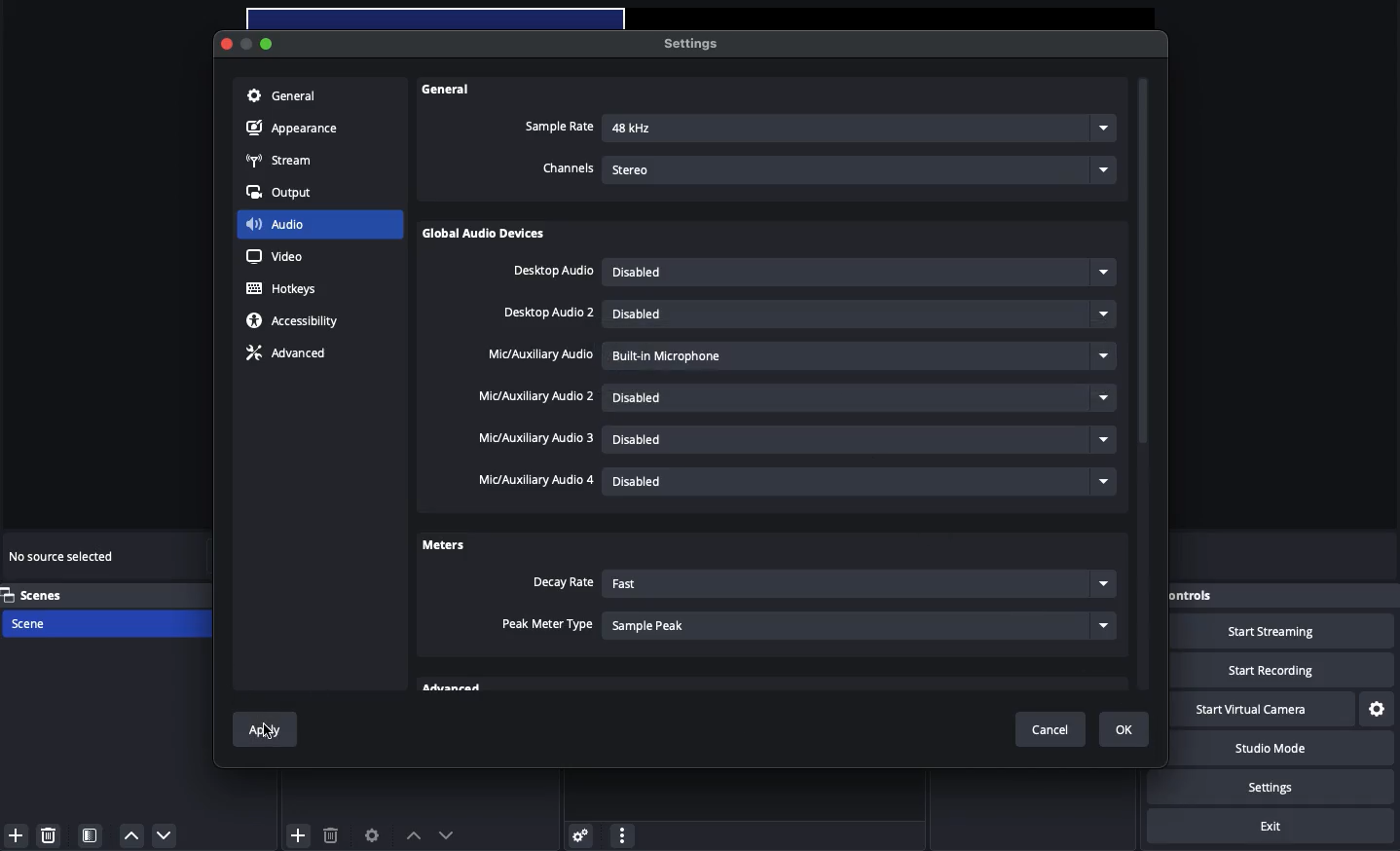  Describe the element at coordinates (861, 397) in the screenshot. I see `Disabled` at that location.